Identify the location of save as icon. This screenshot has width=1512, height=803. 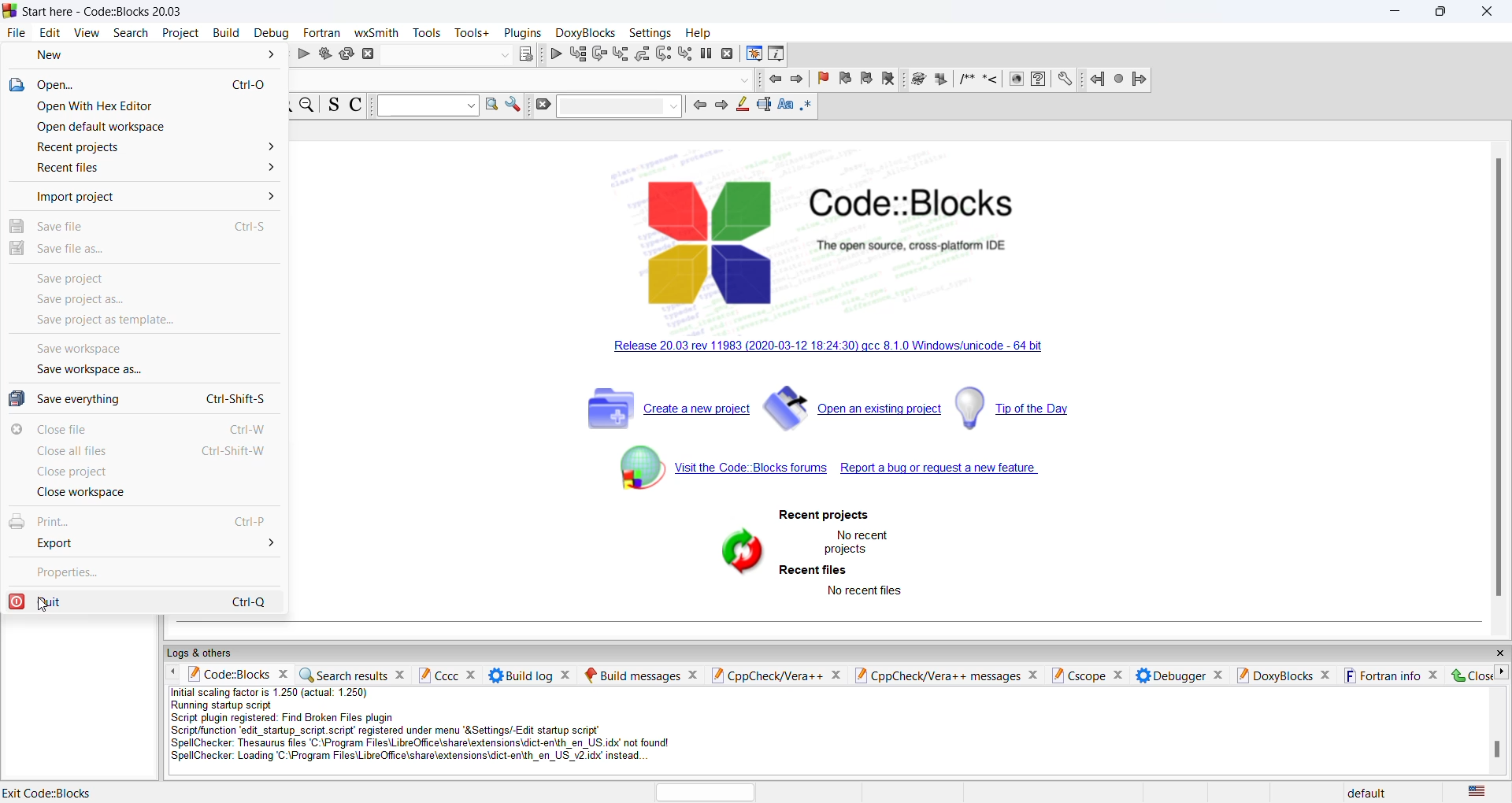
(17, 248).